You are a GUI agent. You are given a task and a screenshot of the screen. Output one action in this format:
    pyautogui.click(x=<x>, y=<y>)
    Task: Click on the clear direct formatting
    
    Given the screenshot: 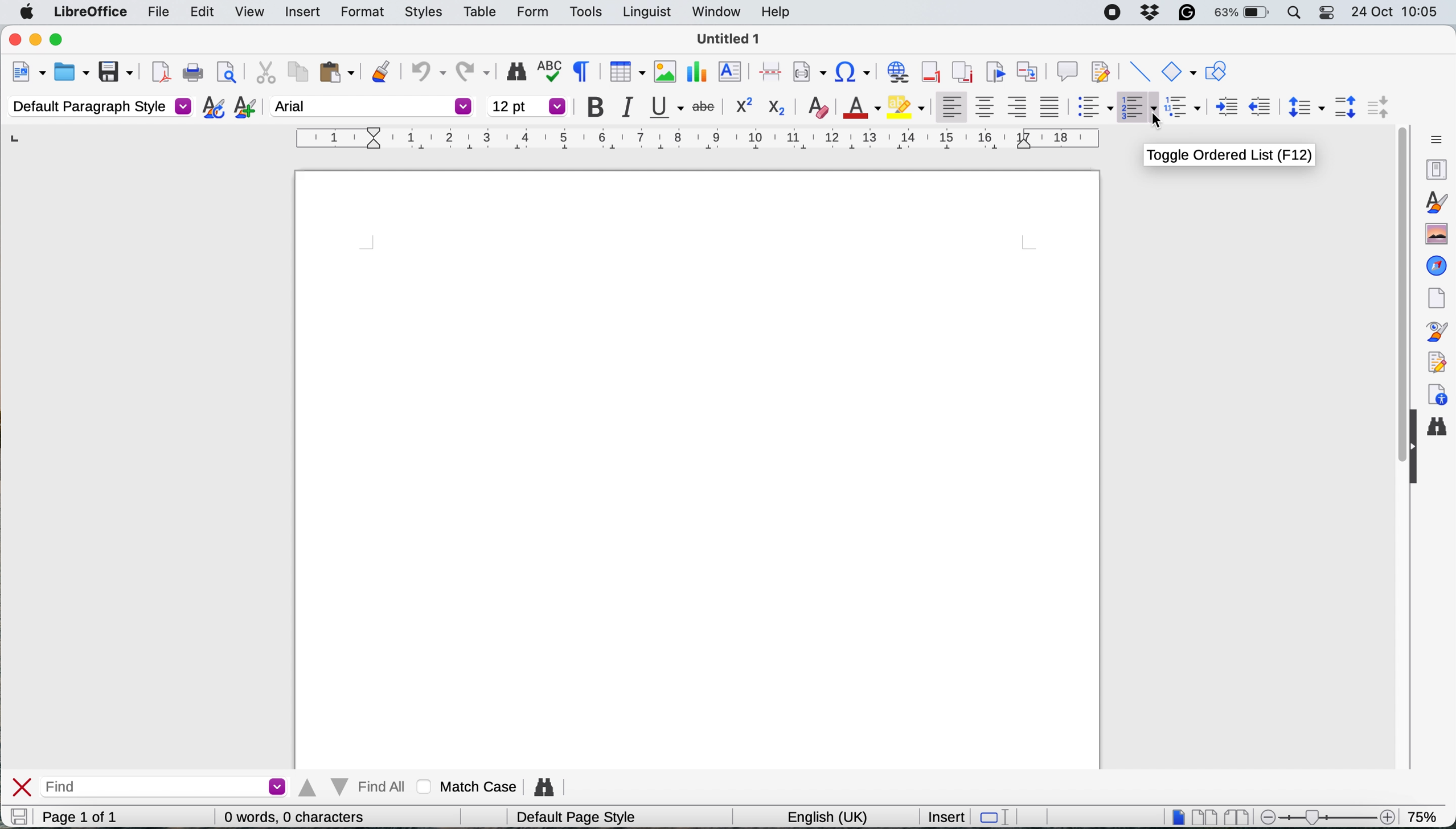 What is the action you would take?
    pyautogui.click(x=819, y=106)
    